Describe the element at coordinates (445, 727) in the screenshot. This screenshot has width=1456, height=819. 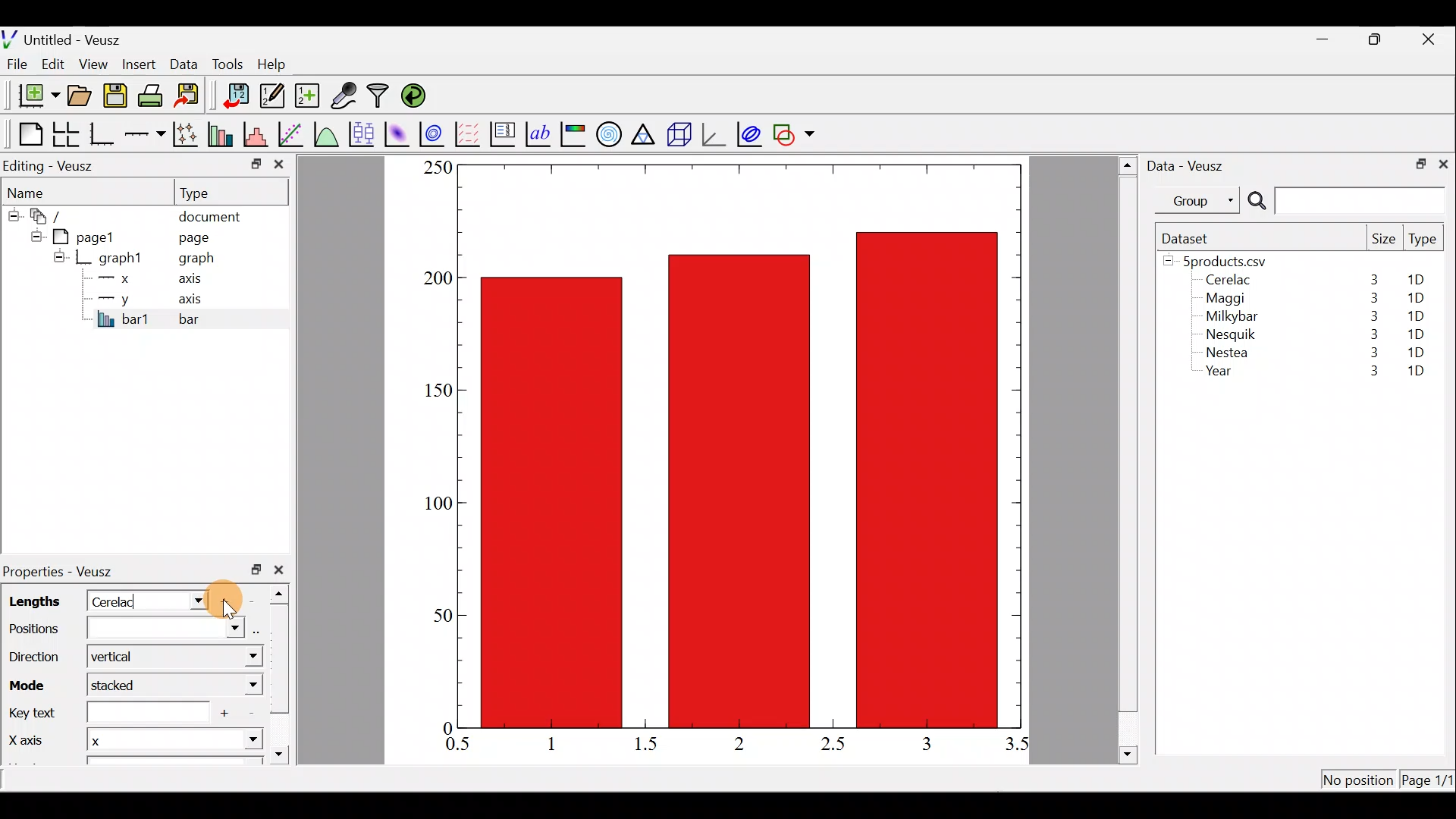
I see `0` at that location.